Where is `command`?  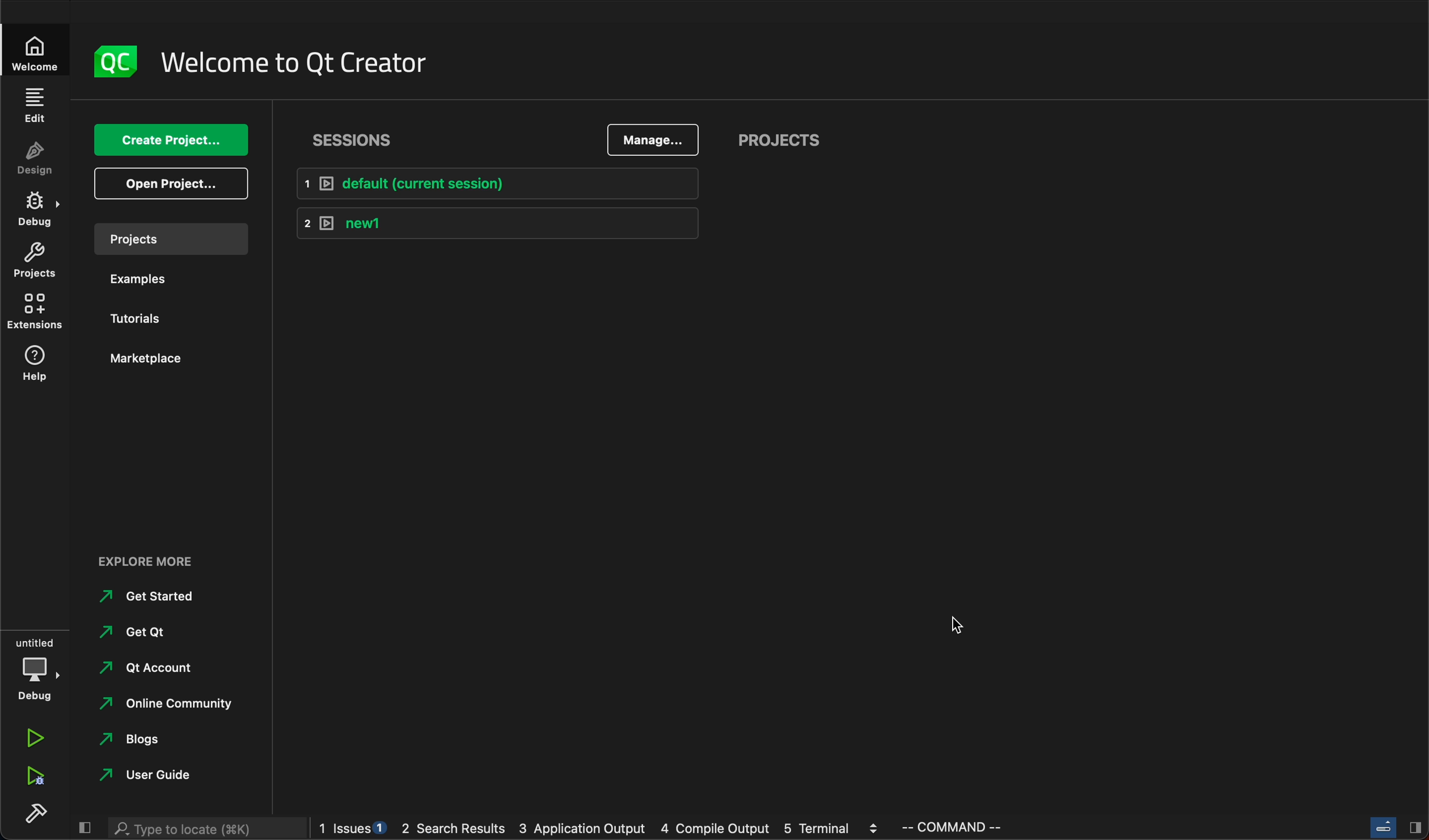
command is located at coordinates (964, 827).